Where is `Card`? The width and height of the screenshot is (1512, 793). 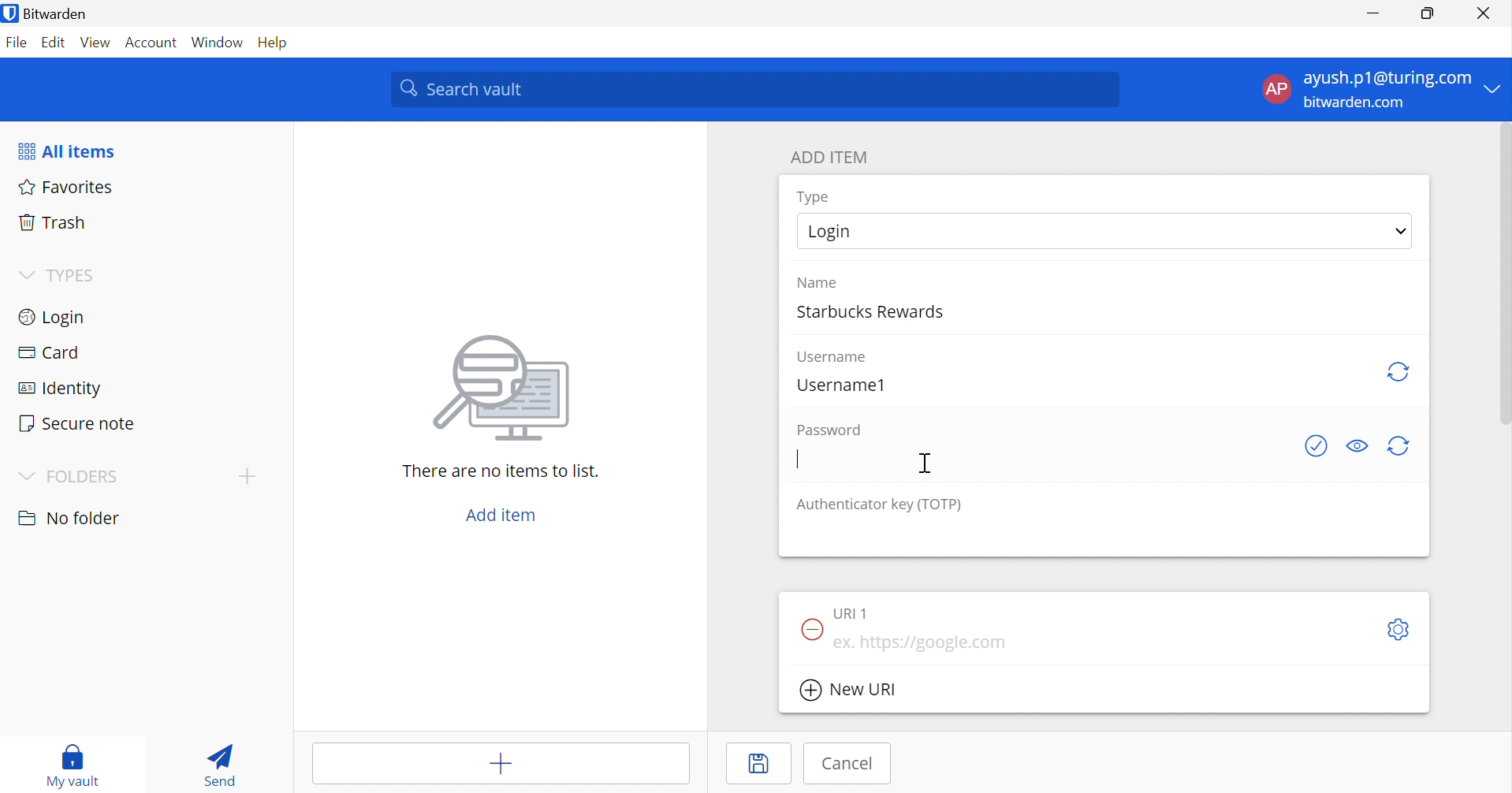 Card is located at coordinates (50, 352).